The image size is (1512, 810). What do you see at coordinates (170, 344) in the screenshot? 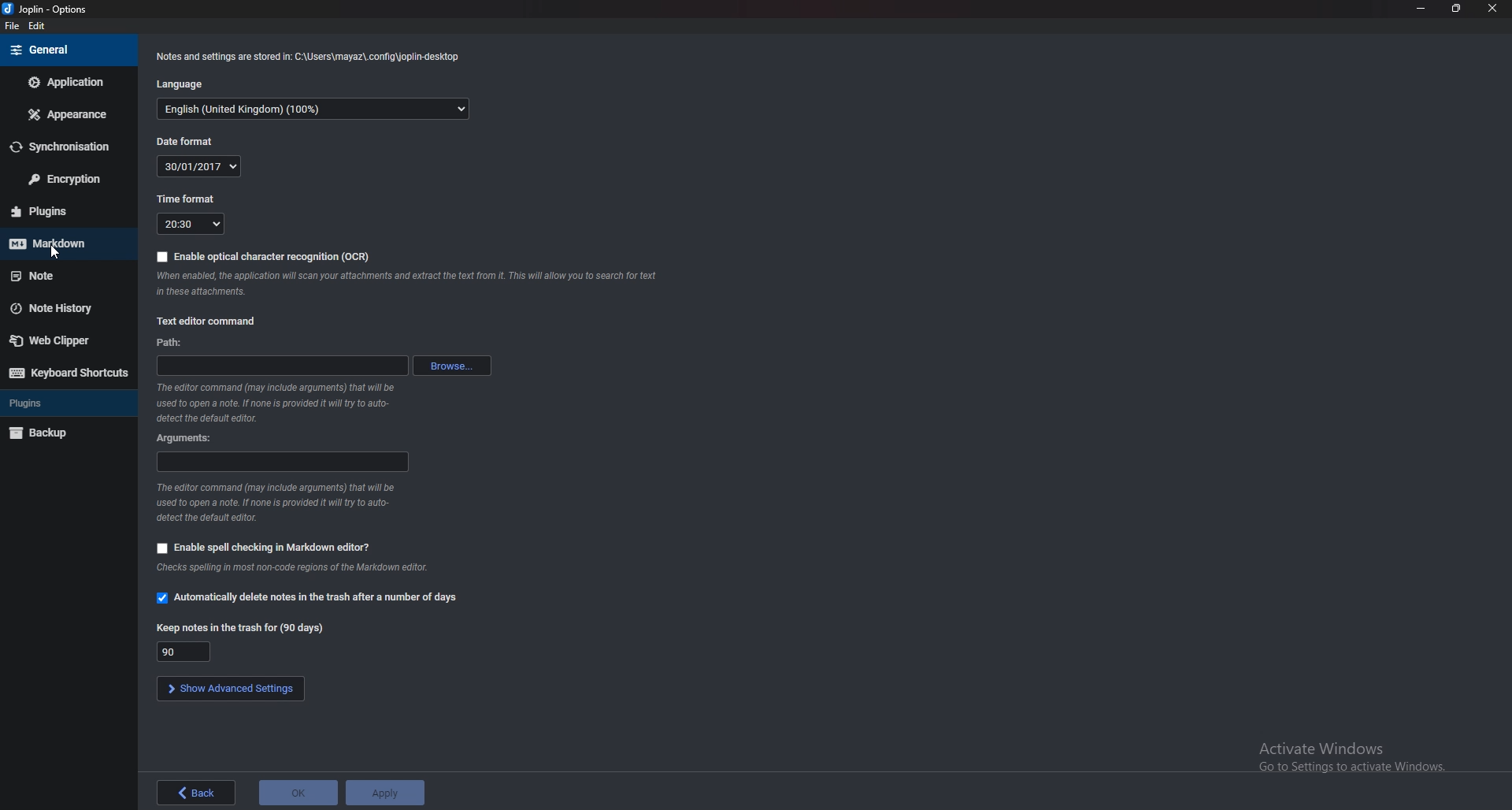
I see `path` at bounding box center [170, 344].